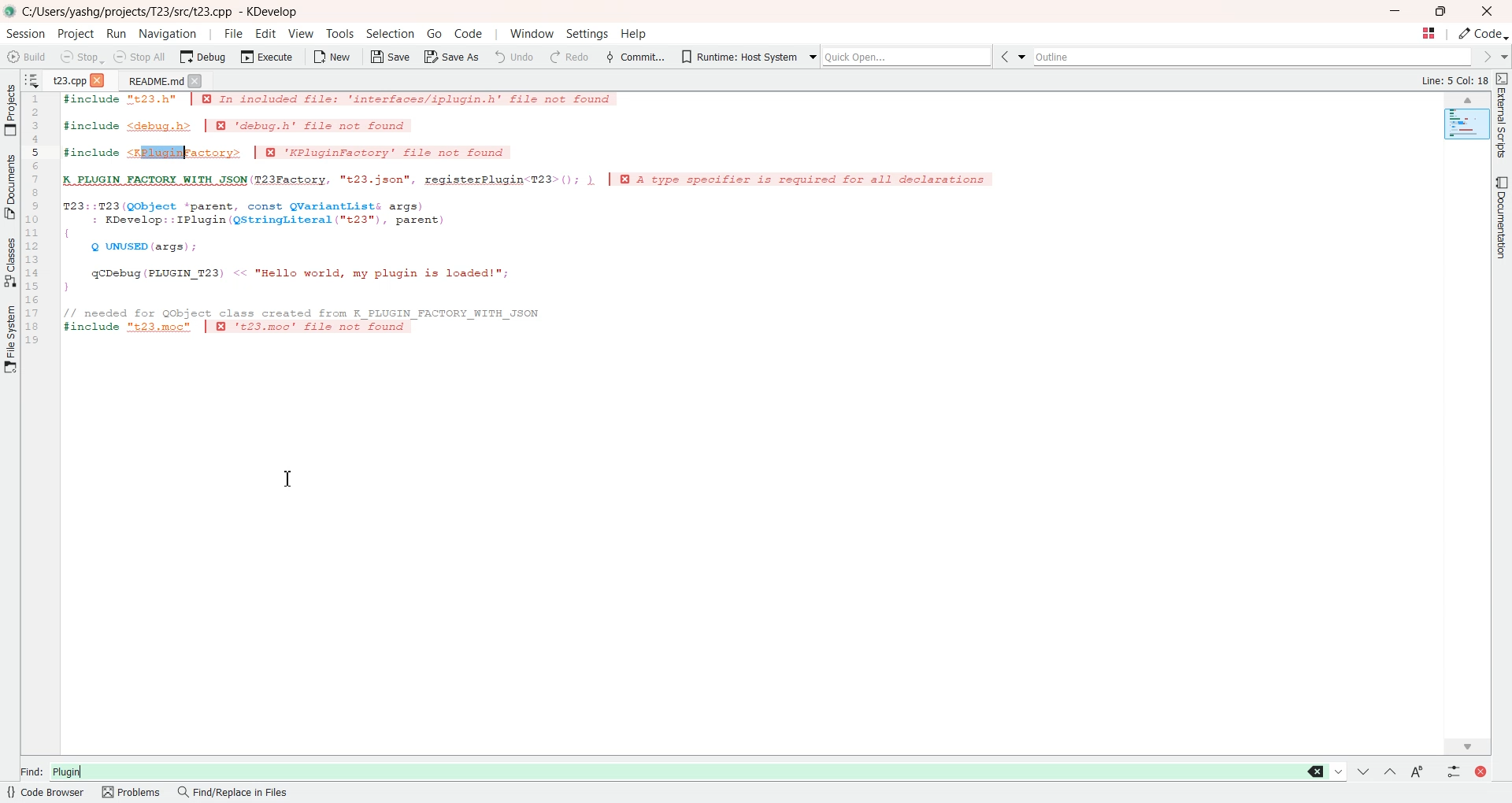 The height and width of the screenshot is (803, 1512). What do you see at coordinates (1468, 744) in the screenshot?
I see `Scroll down` at bounding box center [1468, 744].